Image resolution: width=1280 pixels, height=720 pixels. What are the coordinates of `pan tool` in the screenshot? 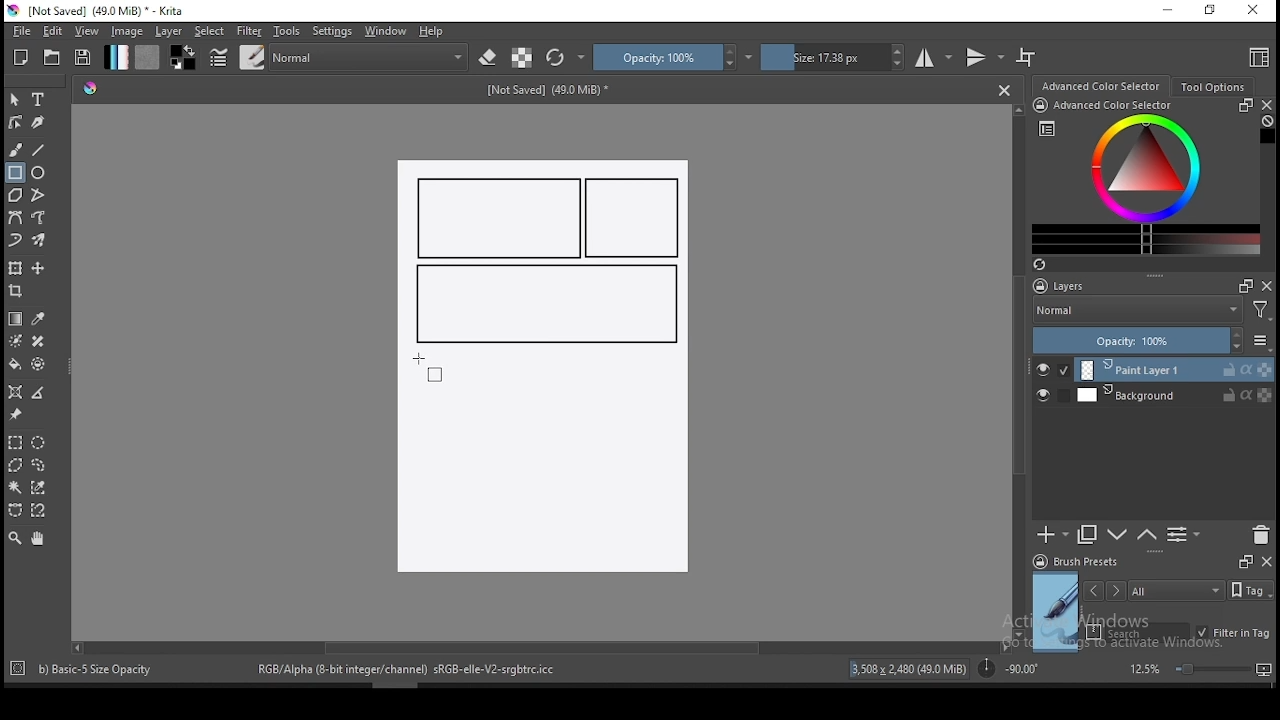 It's located at (36, 539).